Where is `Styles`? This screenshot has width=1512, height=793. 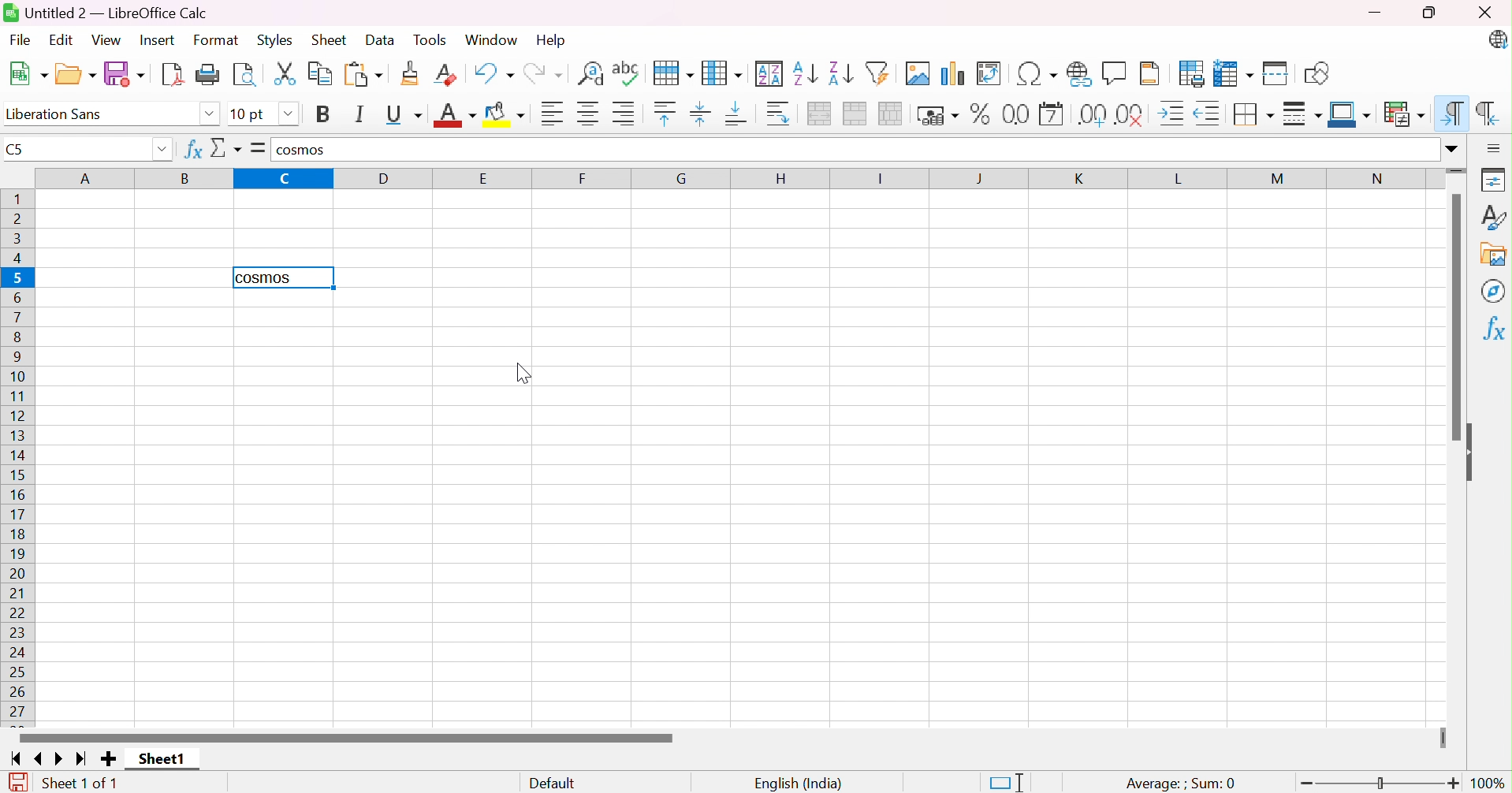 Styles is located at coordinates (1495, 217).